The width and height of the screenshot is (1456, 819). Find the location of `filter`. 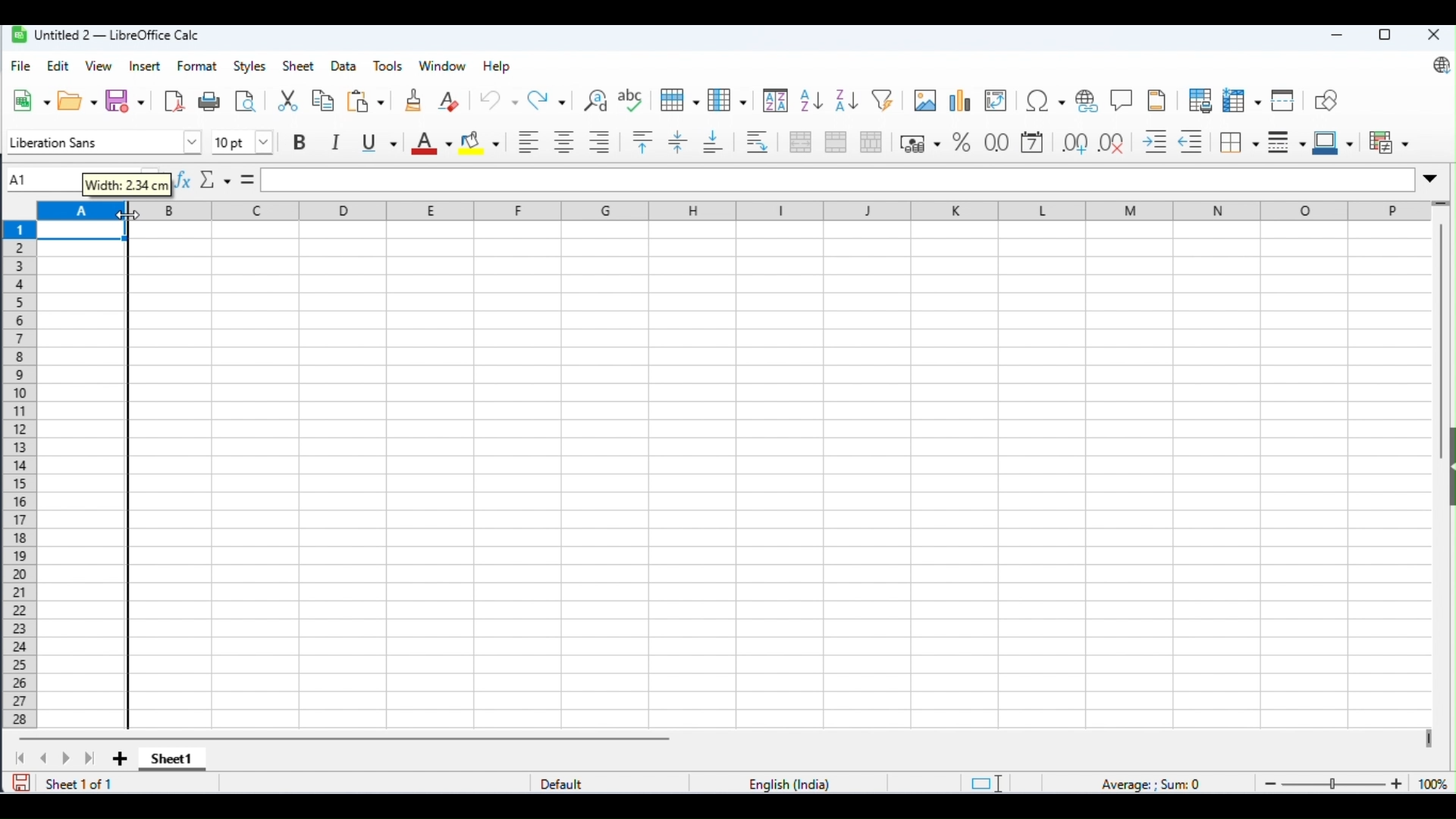

filter is located at coordinates (886, 100).